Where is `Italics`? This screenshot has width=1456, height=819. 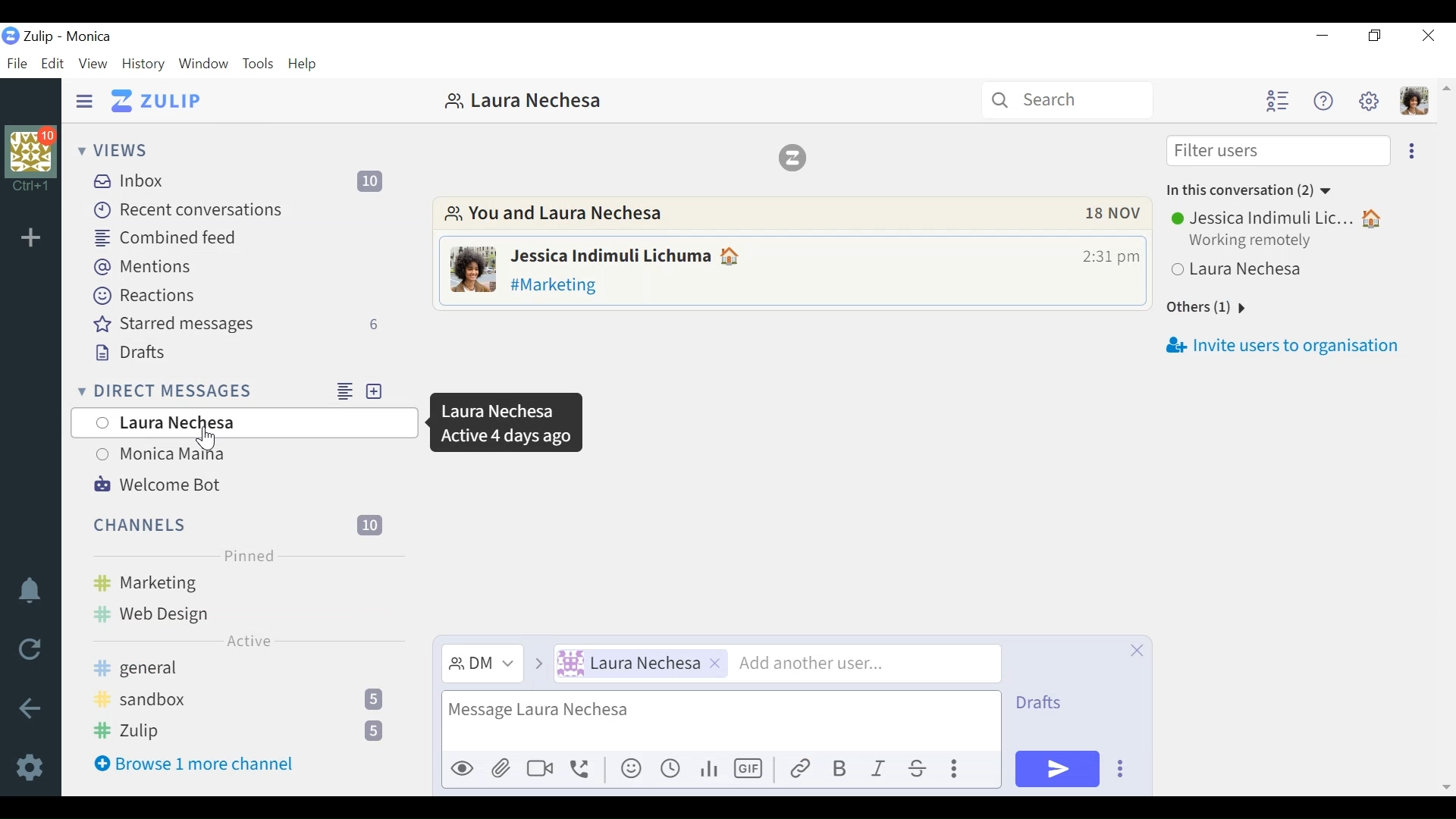 Italics is located at coordinates (877, 770).